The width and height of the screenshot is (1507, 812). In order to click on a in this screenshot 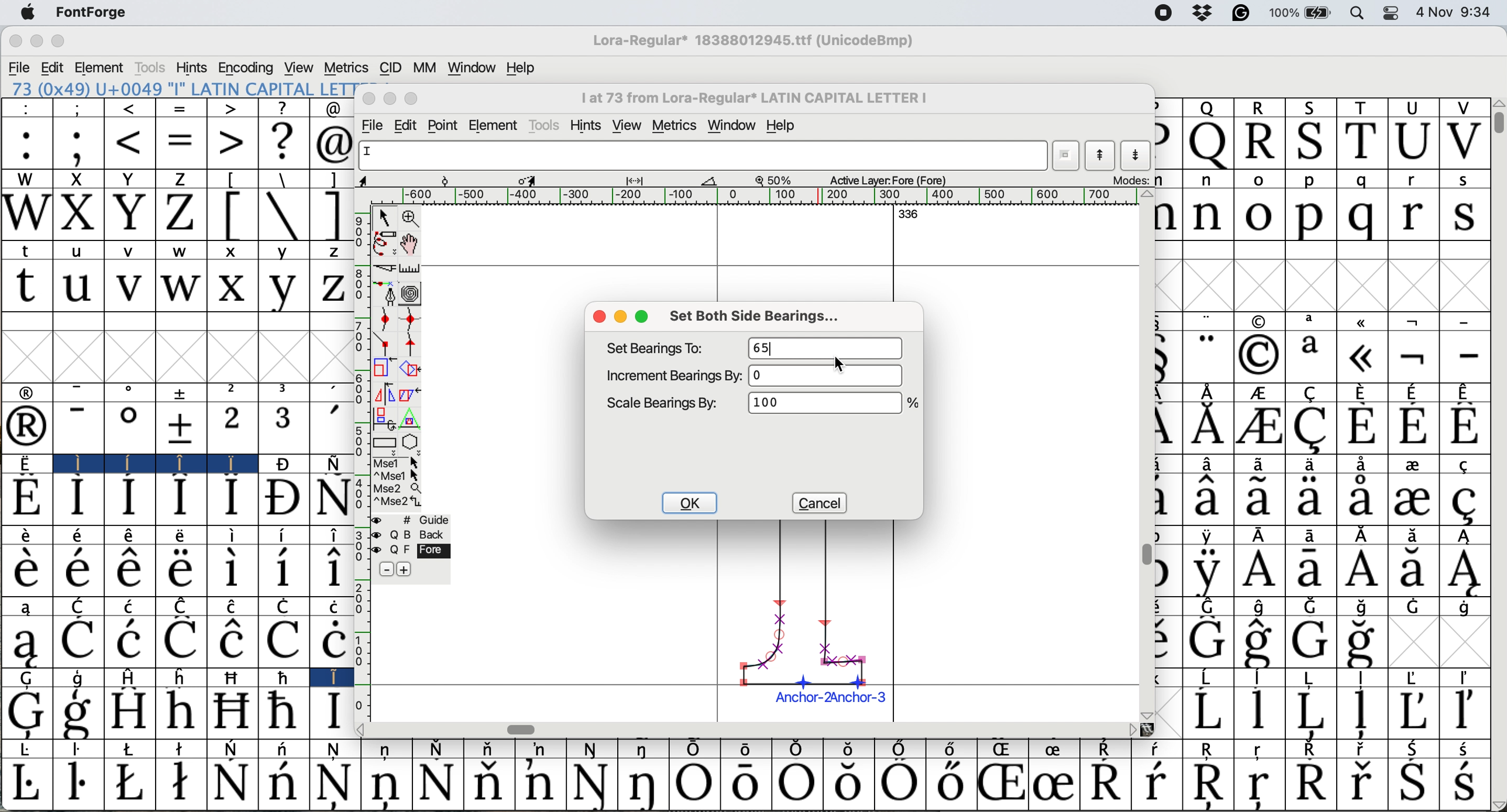, I will do `click(27, 605)`.